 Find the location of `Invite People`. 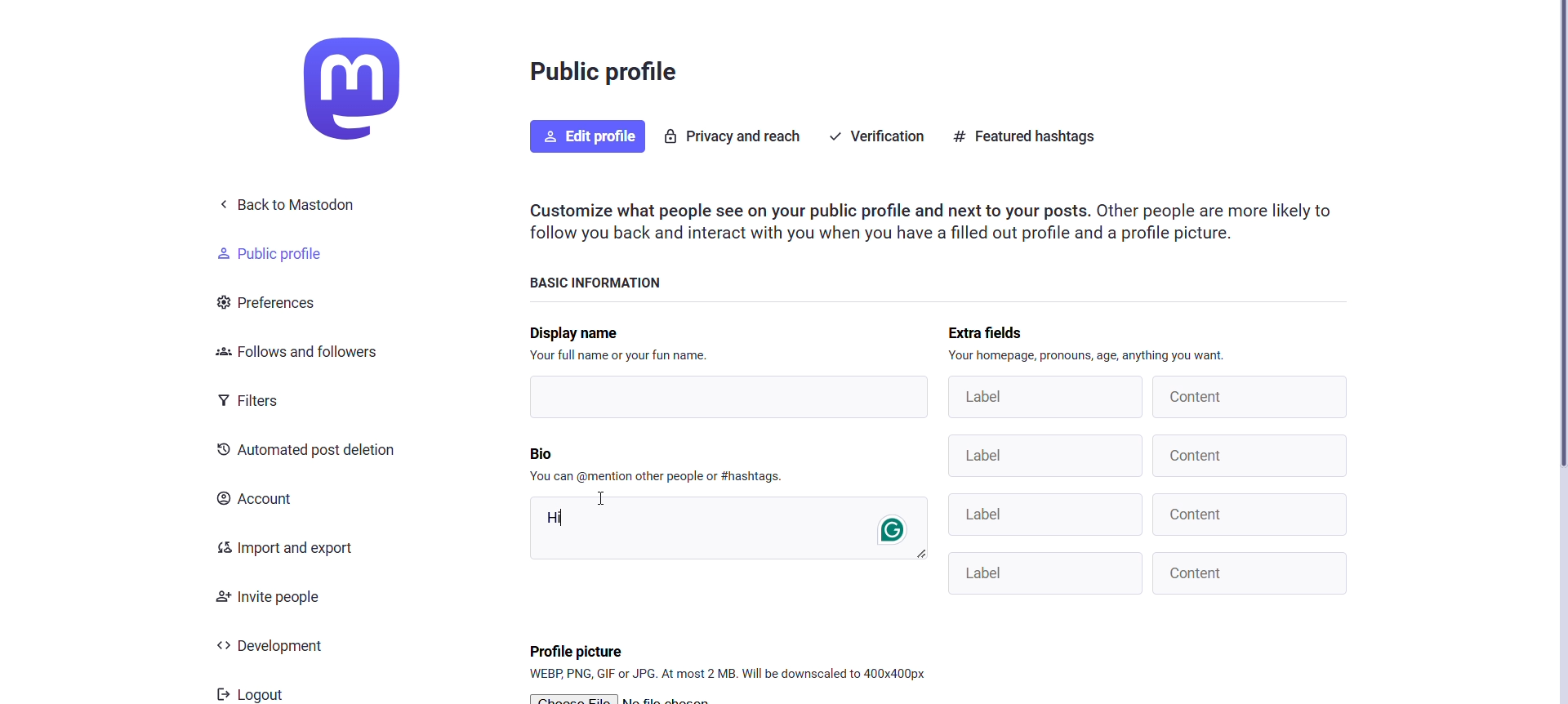

Invite People is located at coordinates (275, 595).